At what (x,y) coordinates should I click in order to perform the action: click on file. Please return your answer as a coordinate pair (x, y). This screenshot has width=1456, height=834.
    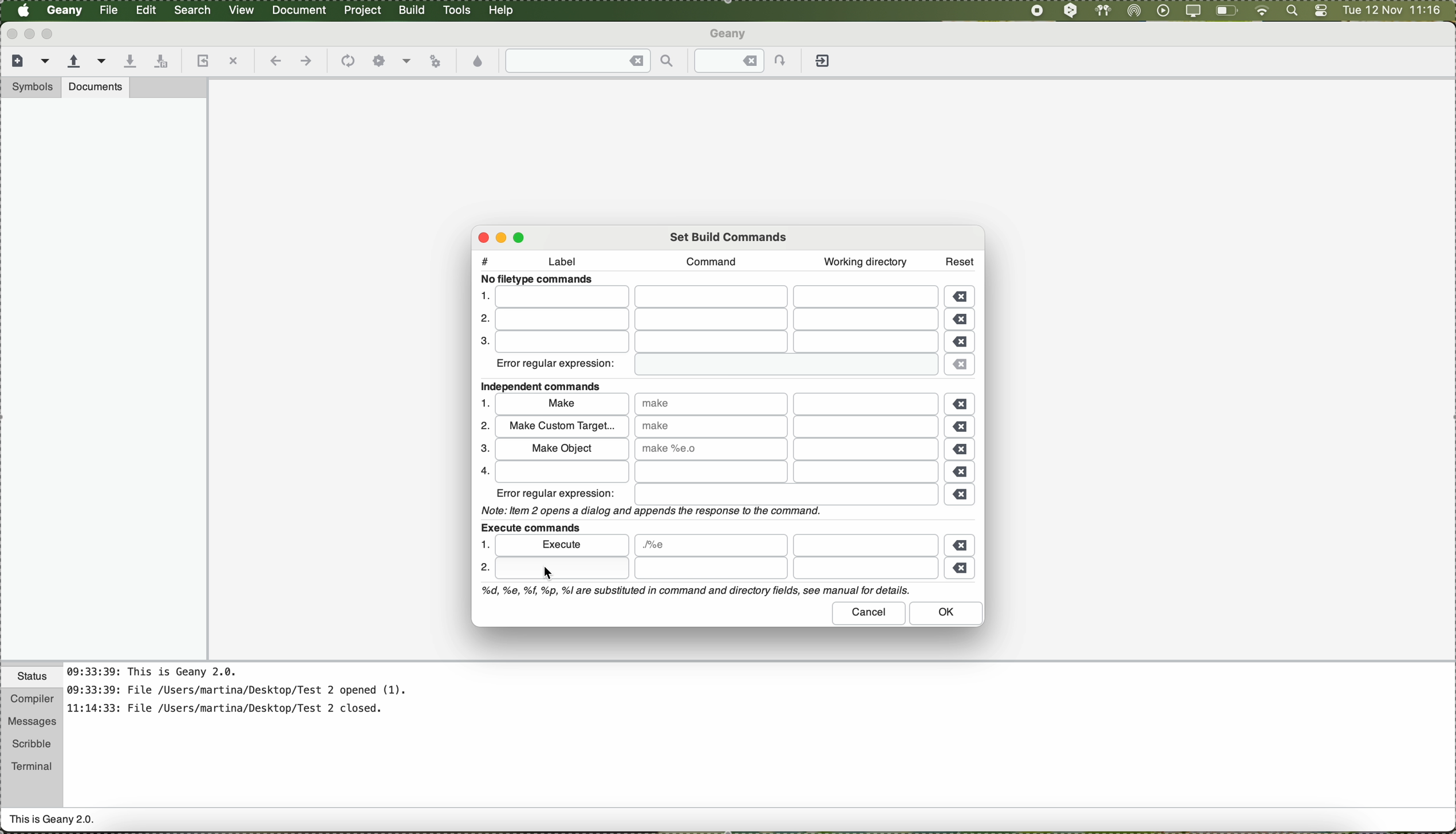
    Looking at the image, I should click on (786, 495).